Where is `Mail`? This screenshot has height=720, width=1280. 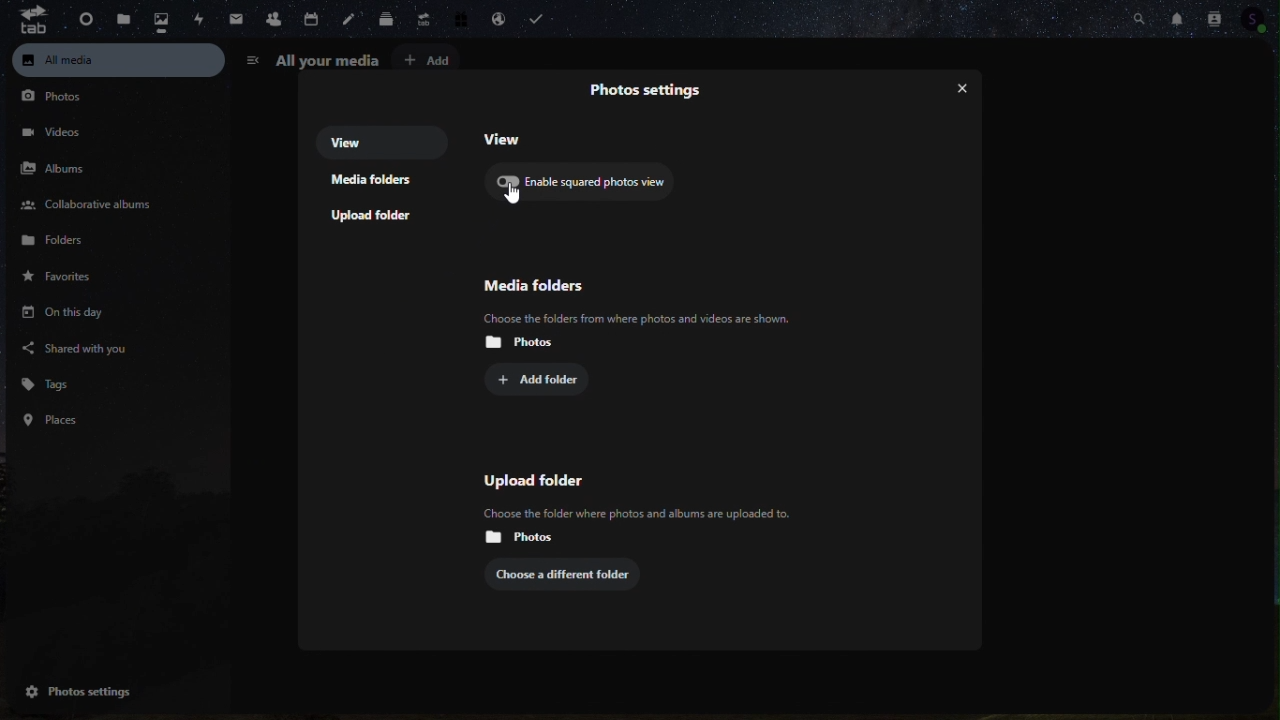 Mail is located at coordinates (233, 19).